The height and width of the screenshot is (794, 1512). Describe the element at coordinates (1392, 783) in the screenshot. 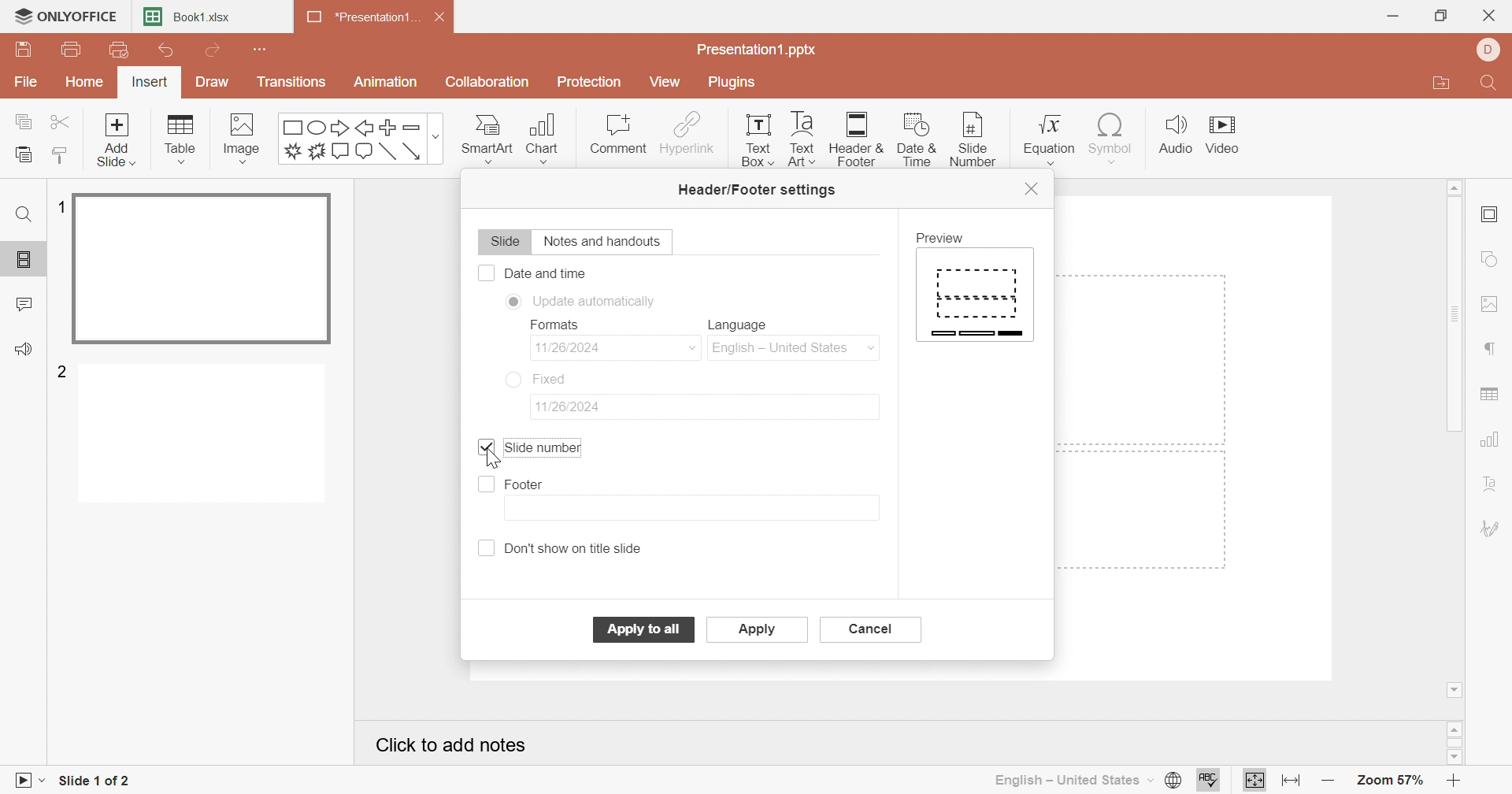

I see `Zoom 57%` at that location.